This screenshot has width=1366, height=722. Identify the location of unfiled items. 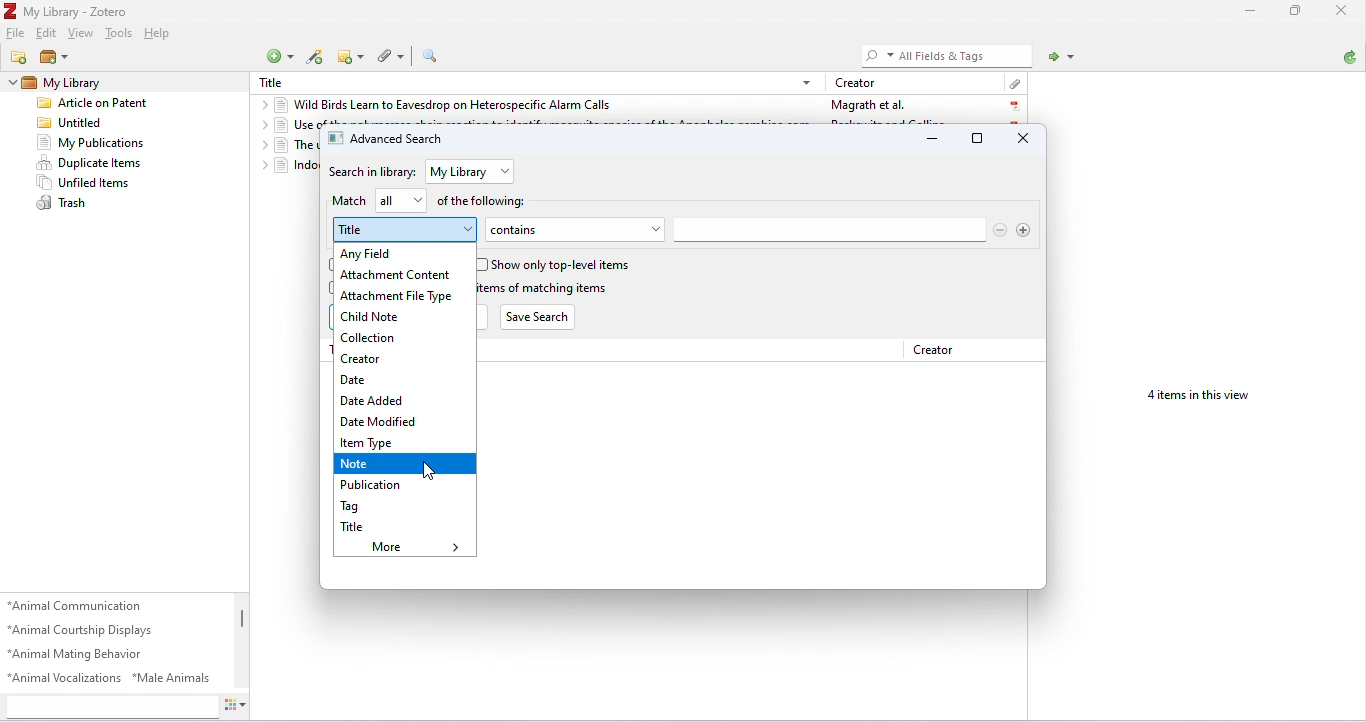
(83, 182).